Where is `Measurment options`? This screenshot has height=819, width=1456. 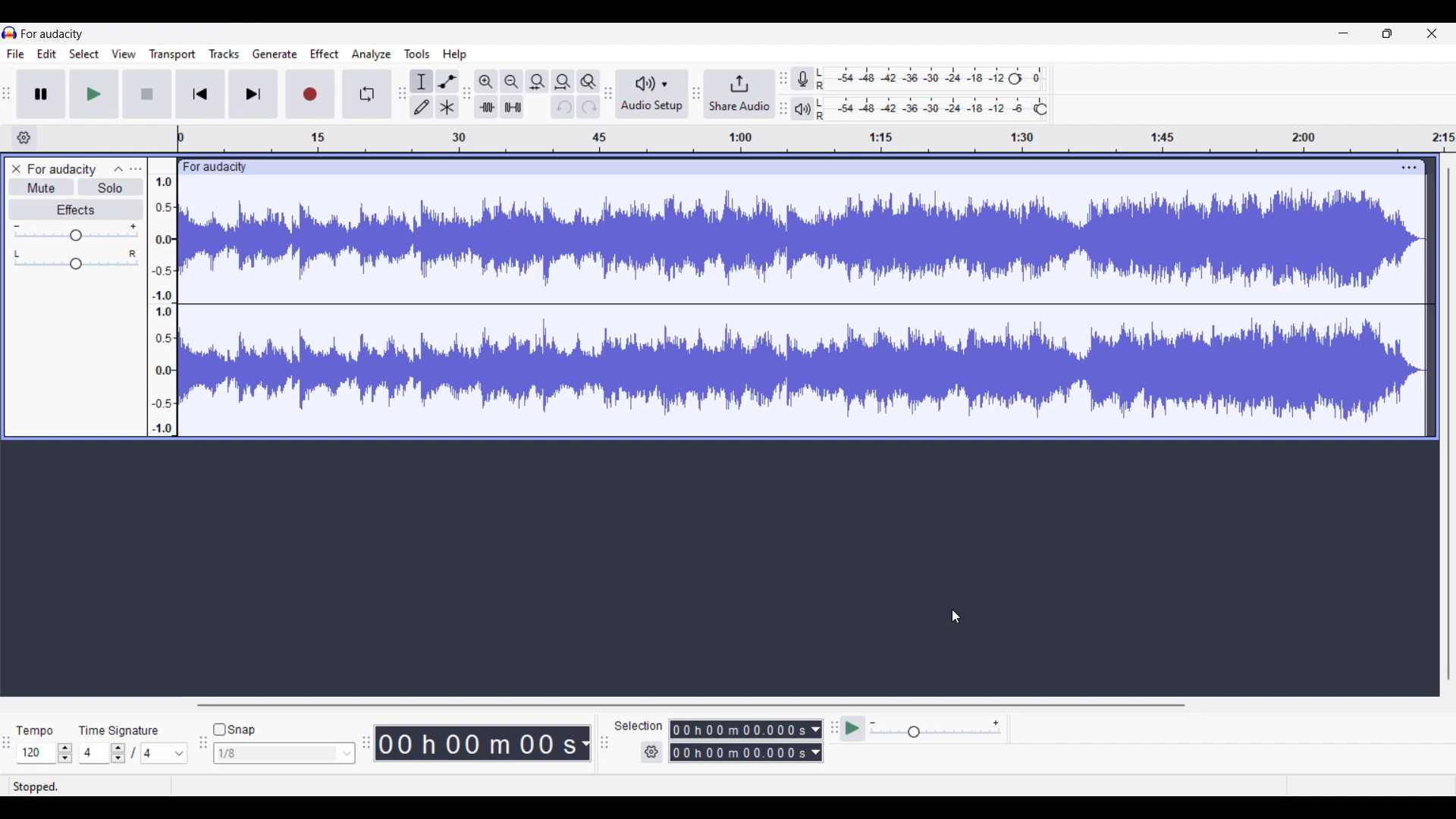
Measurment options is located at coordinates (746, 741).